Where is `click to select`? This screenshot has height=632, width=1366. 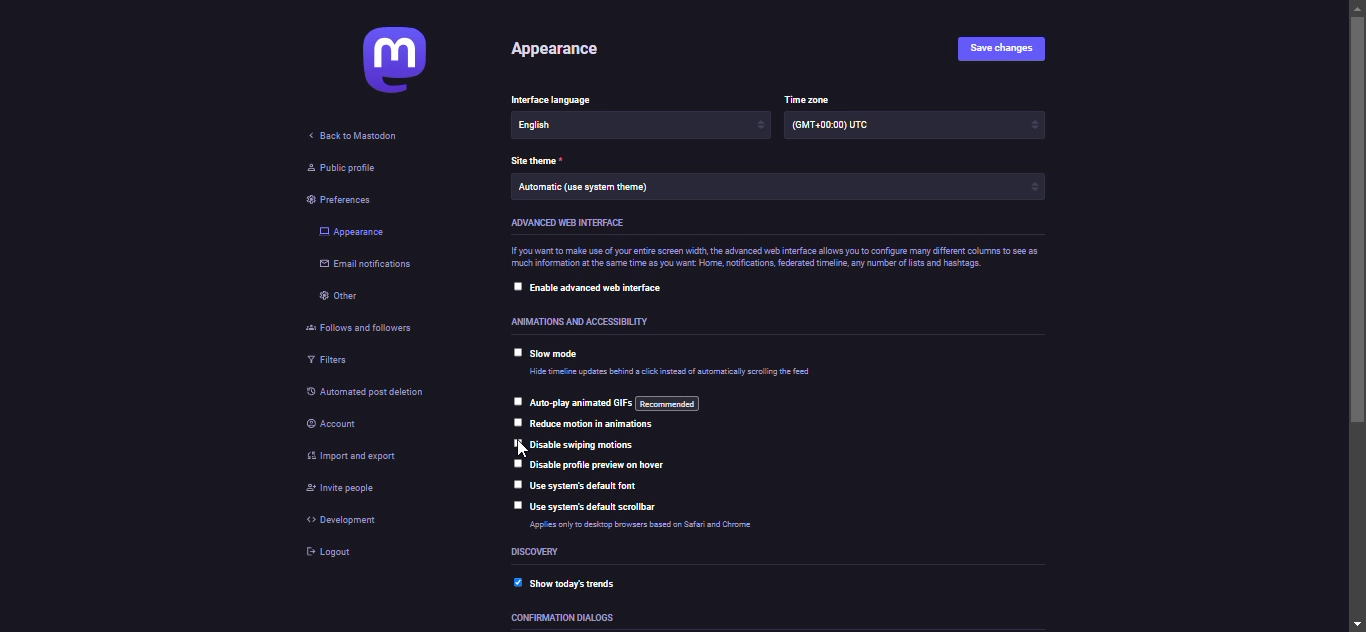 click to select is located at coordinates (514, 461).